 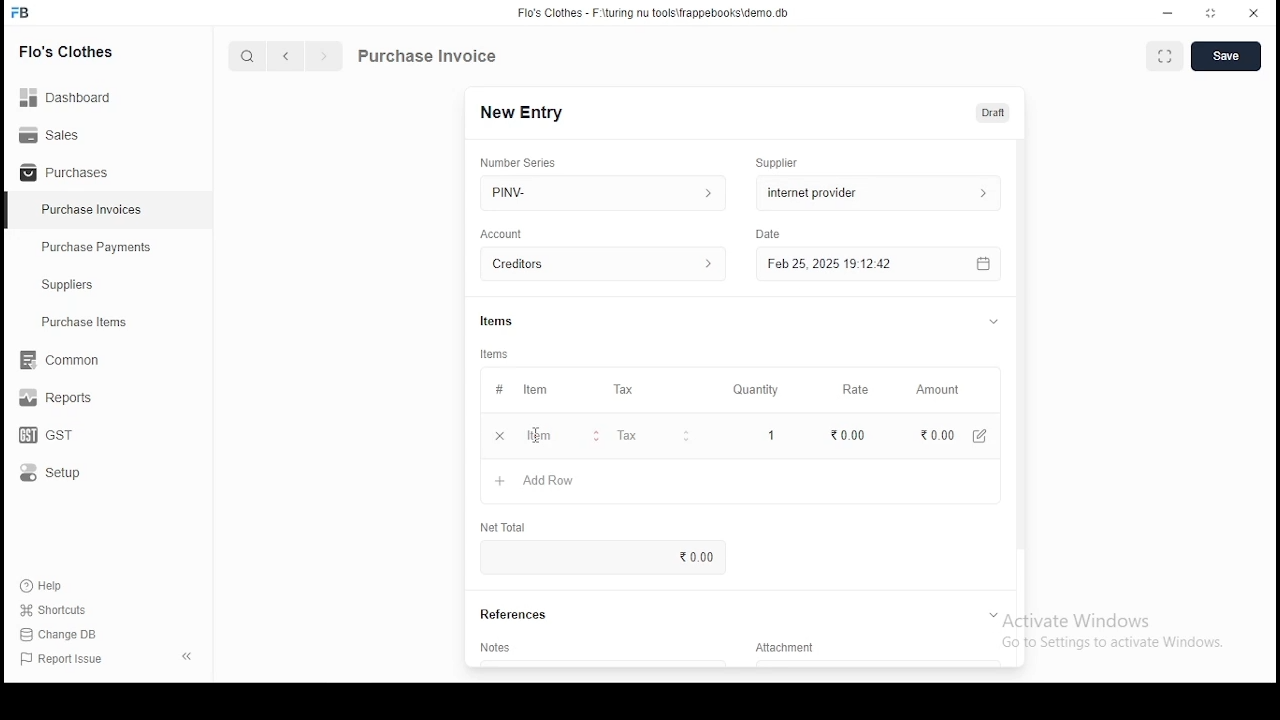 What do you see at coordinates (936, 390) in the screenshot?
I see `amount` at bounding box center [936, 390].